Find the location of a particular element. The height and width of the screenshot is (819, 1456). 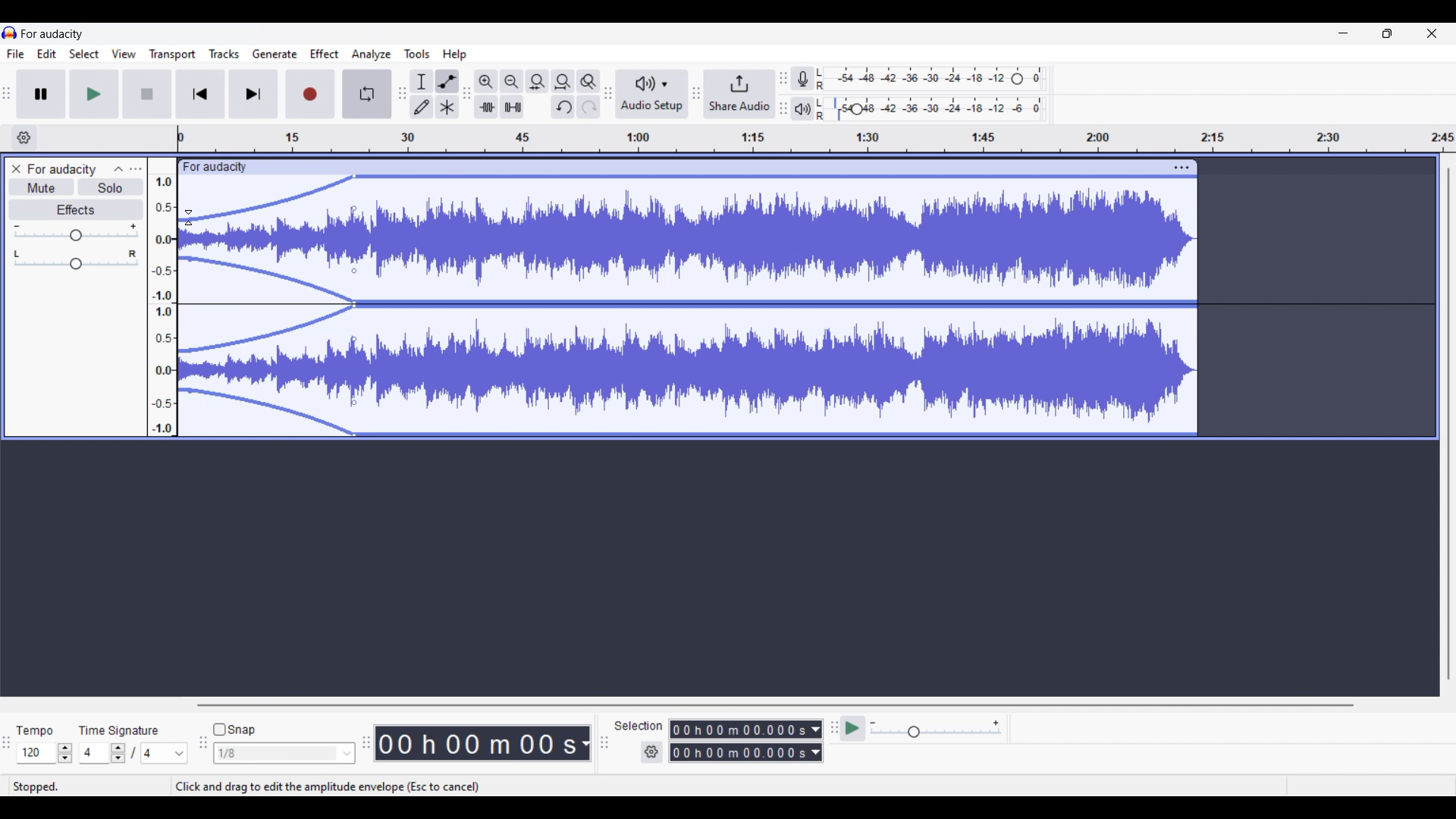

Envelop tool is located at coordinates (448, 82).